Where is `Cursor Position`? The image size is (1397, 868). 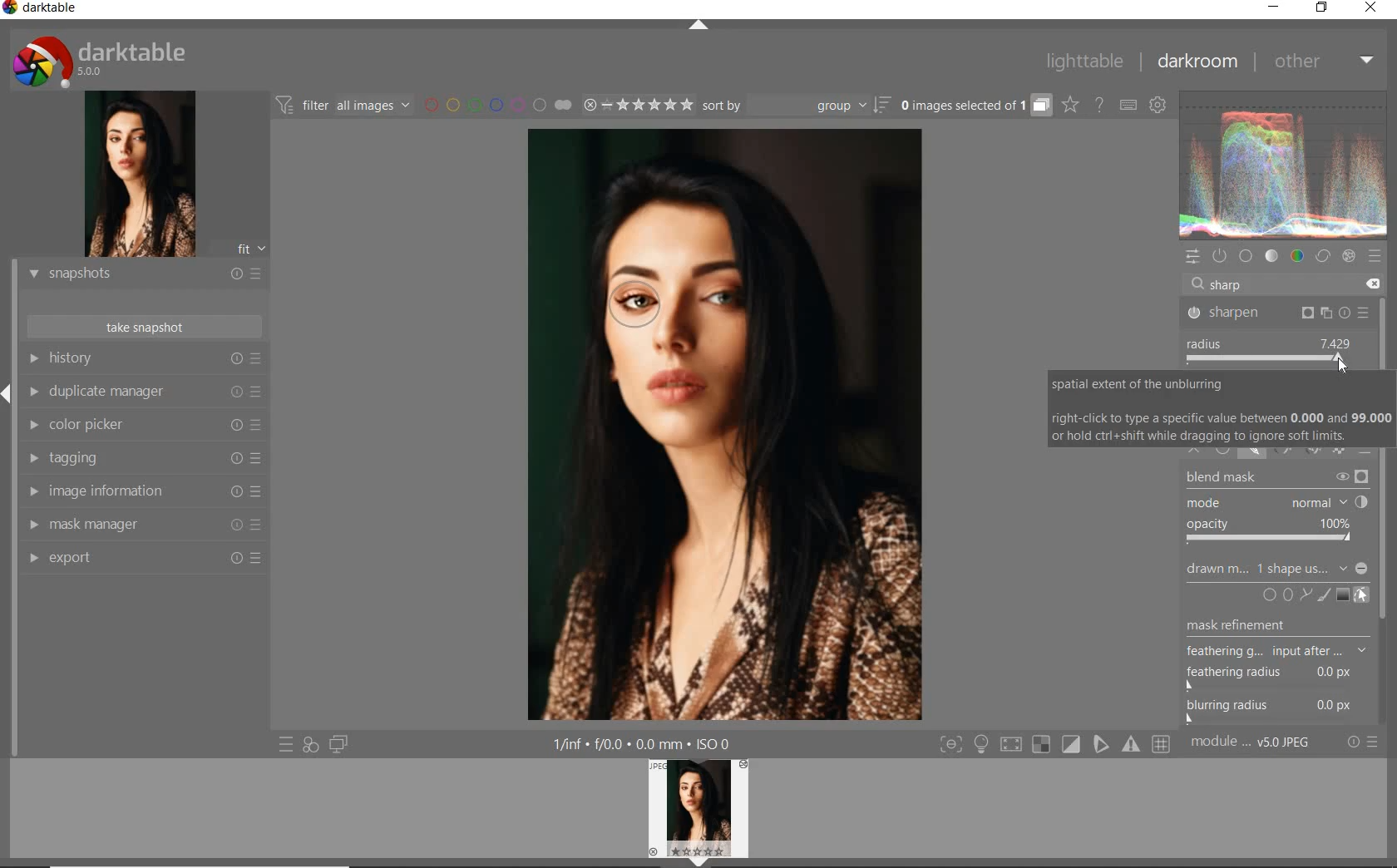
Cursor Position is located at coordinates (1345, 366).